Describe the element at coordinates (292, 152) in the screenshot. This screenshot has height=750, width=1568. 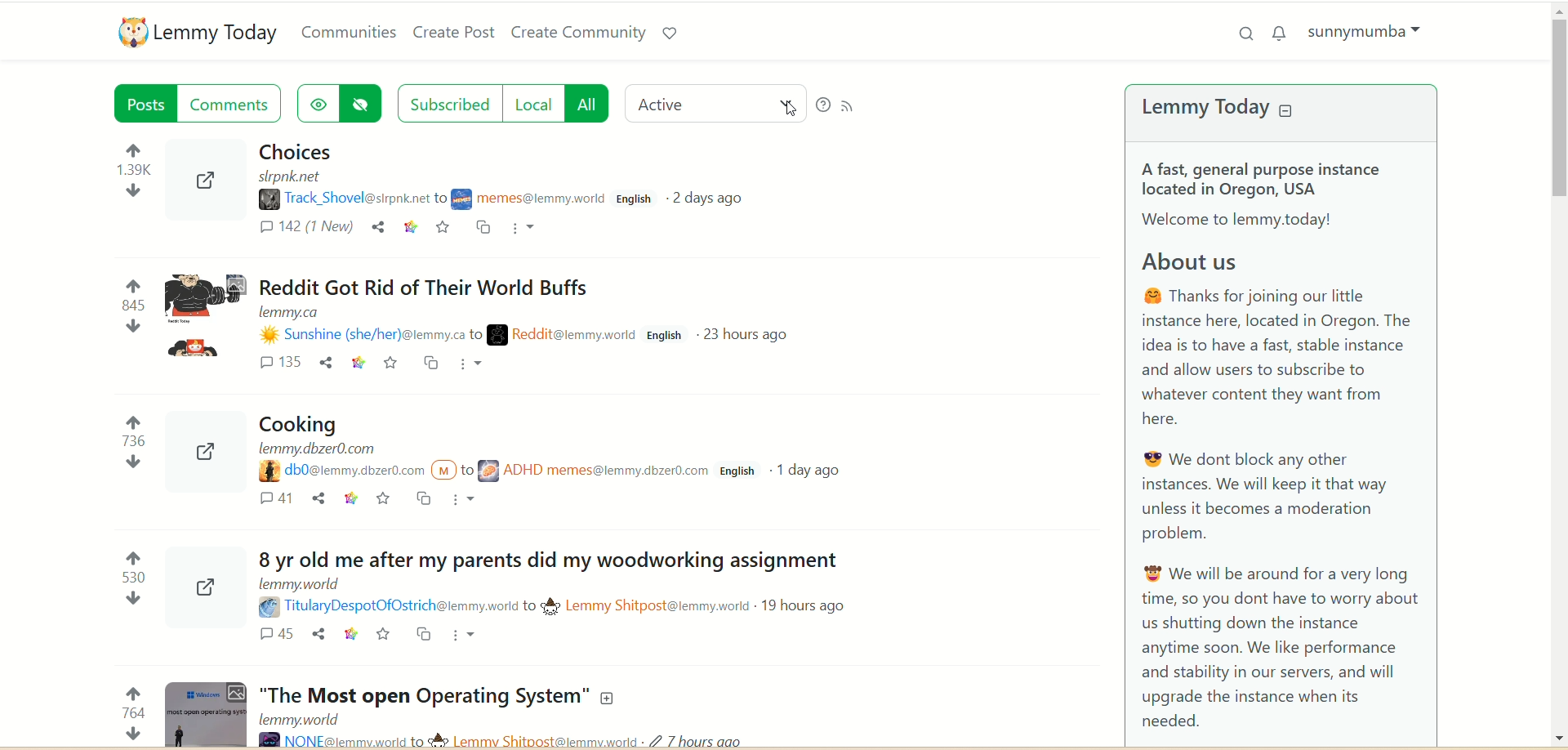
I see `choices` at that location.